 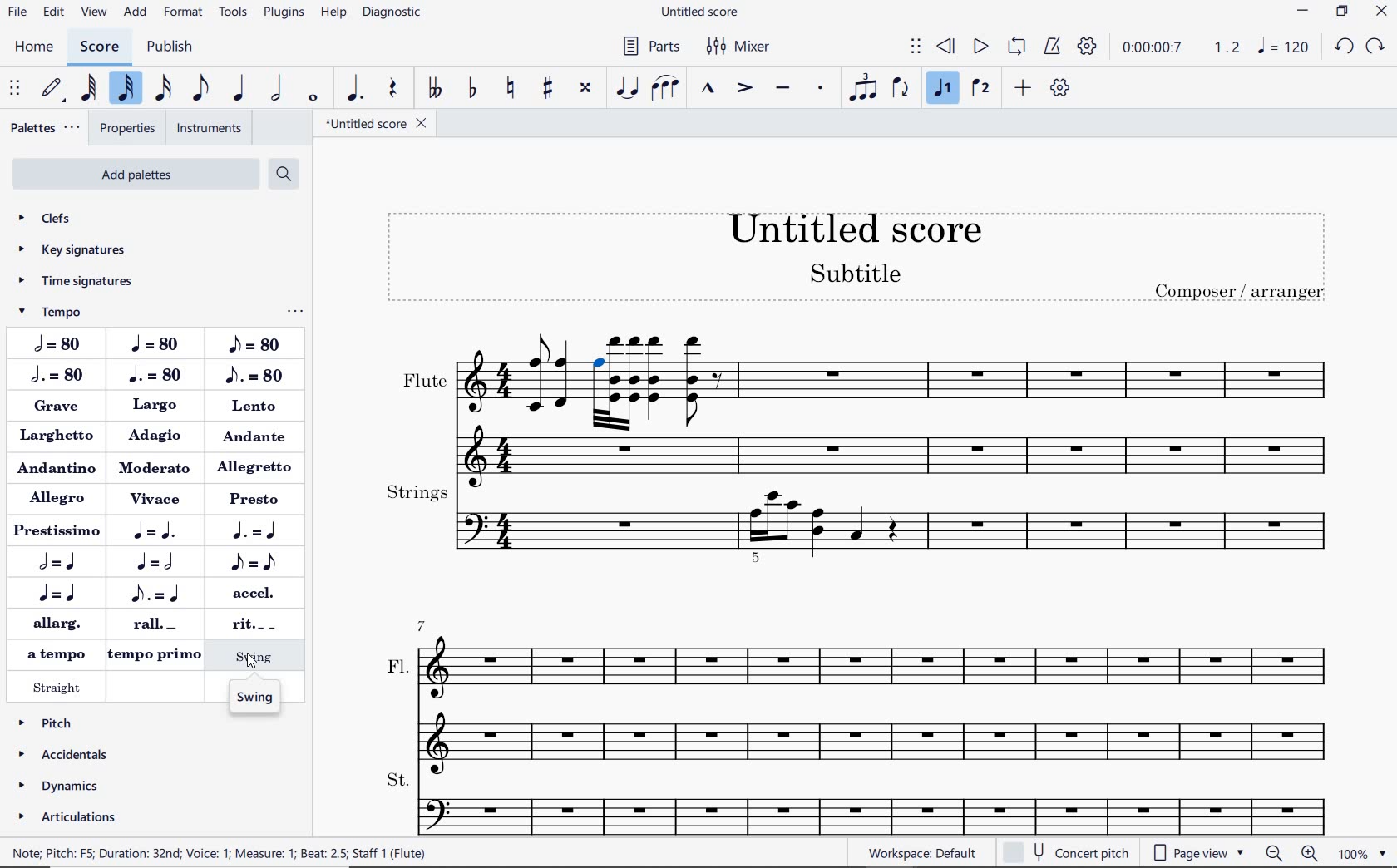 What do you see at coordinates (184, 13) in the screenshot?
I see `format` at bounding box center [184, 13].